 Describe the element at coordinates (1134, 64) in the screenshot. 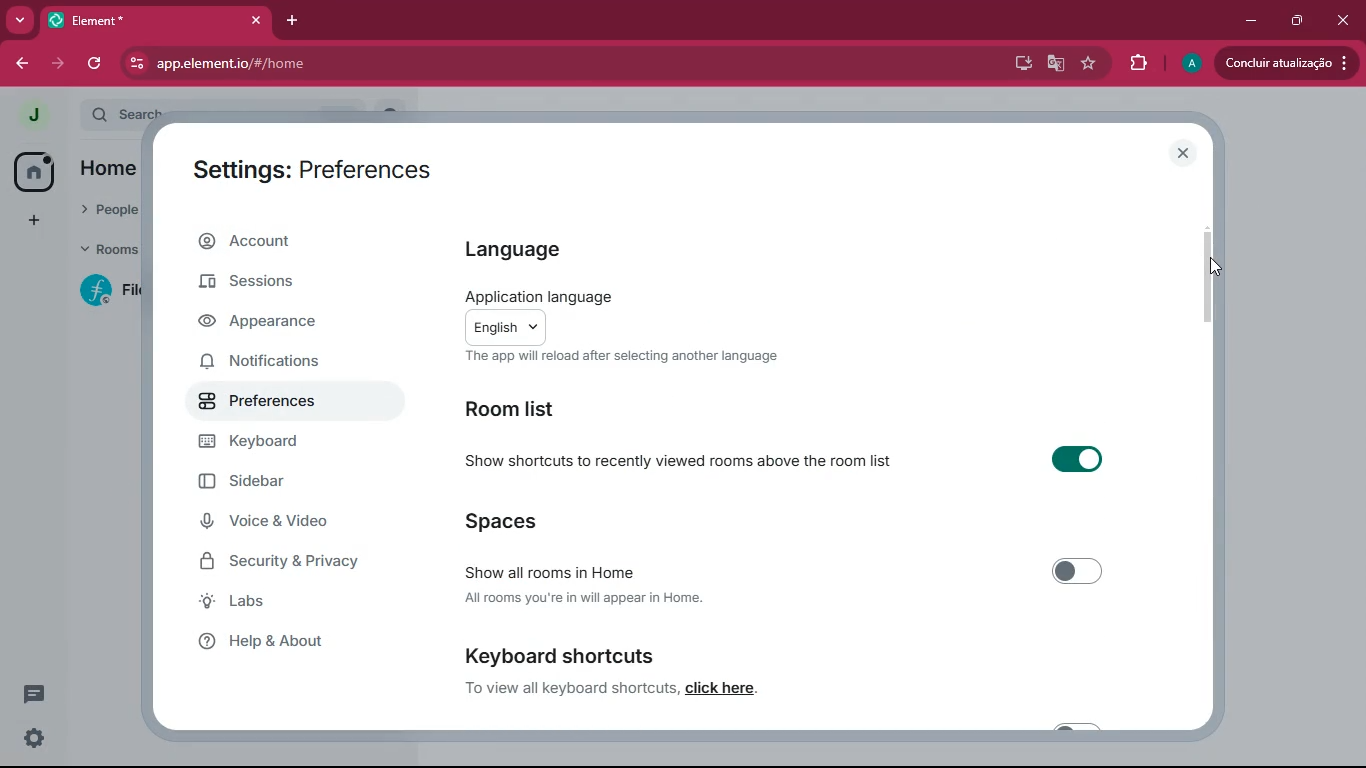

I see `extensions` at that location.